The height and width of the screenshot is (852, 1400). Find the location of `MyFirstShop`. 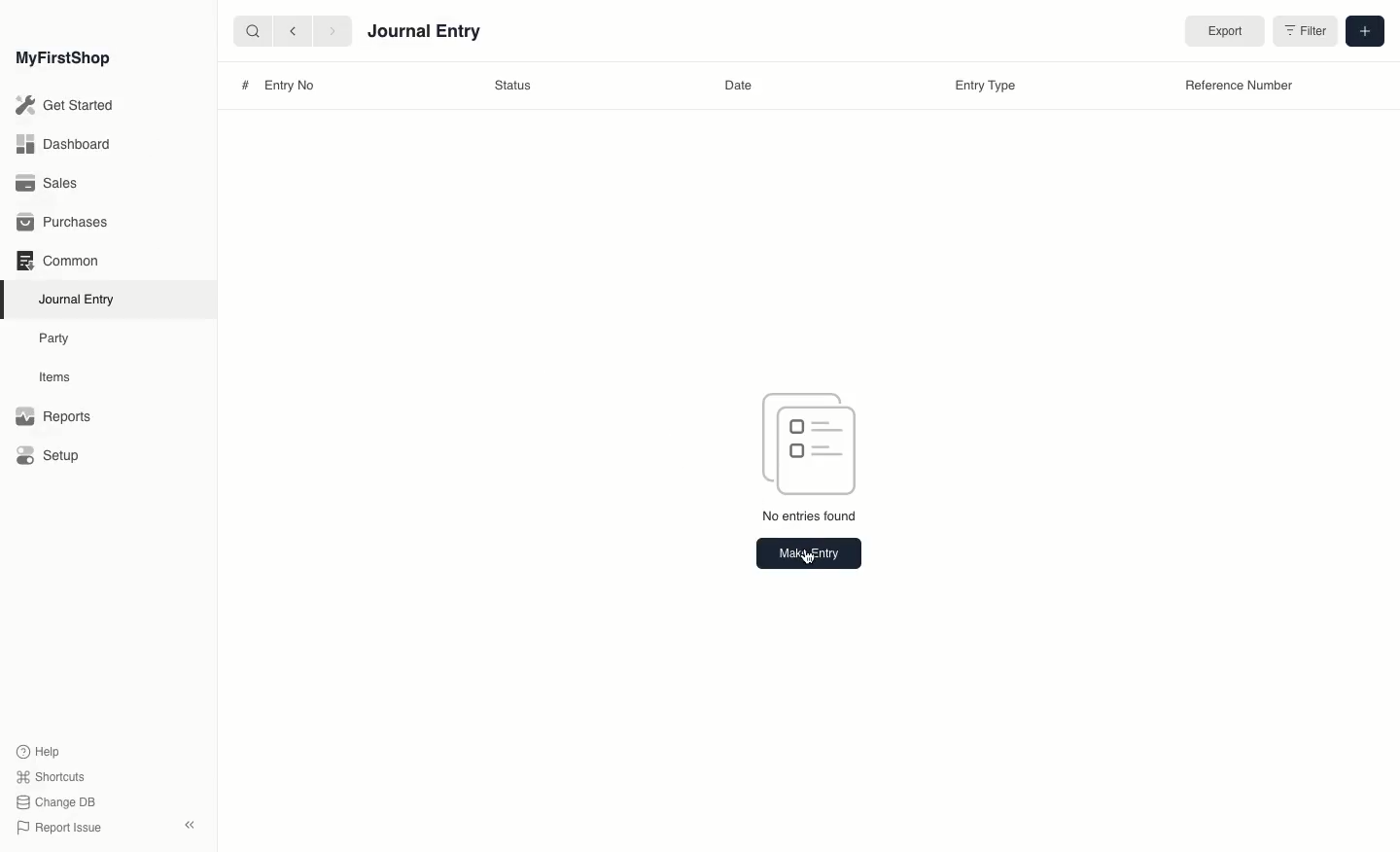

MyFirstShop is located at coordinates (61, 59).